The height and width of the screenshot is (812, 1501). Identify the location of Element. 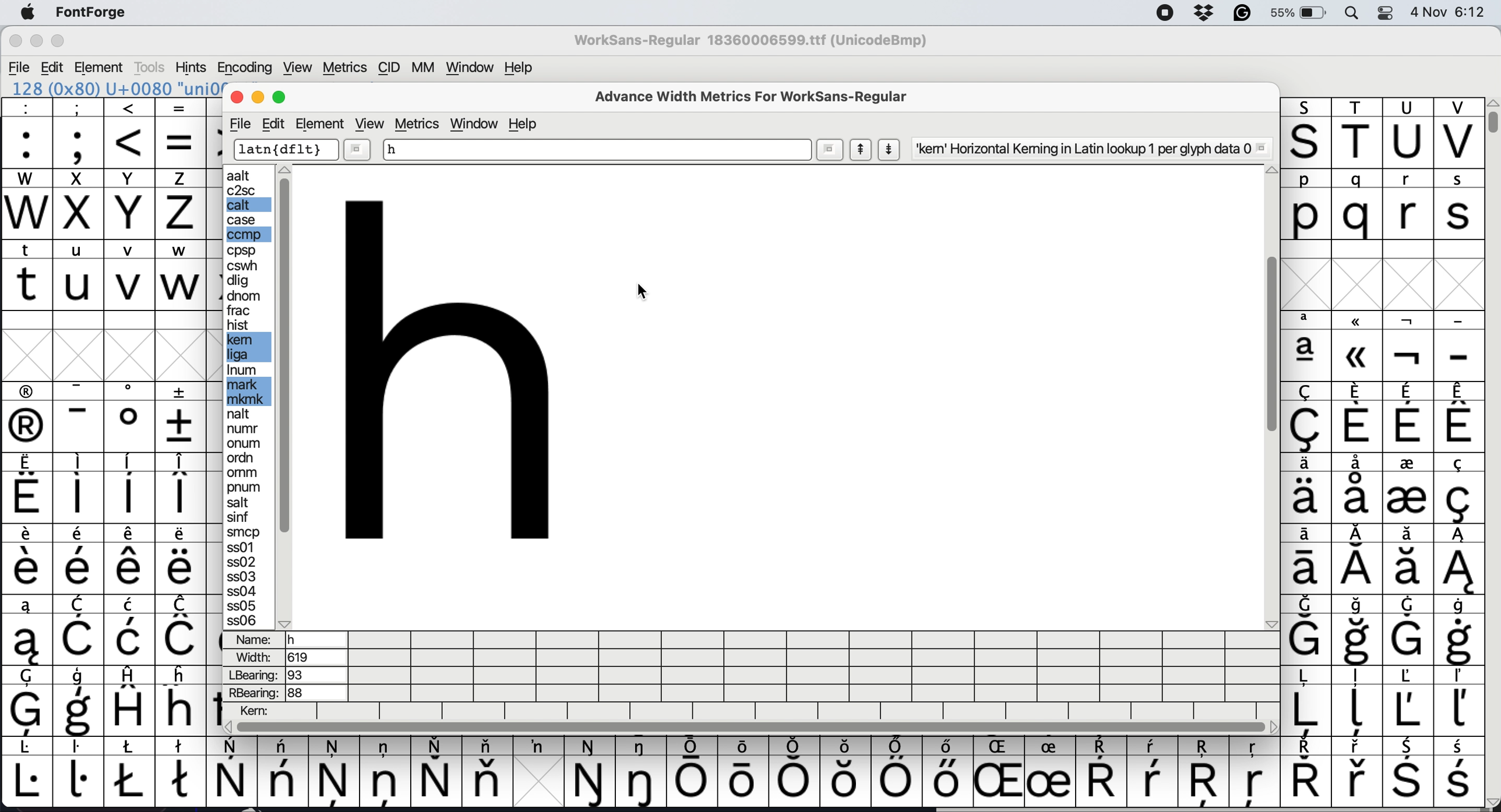
(100, 68).